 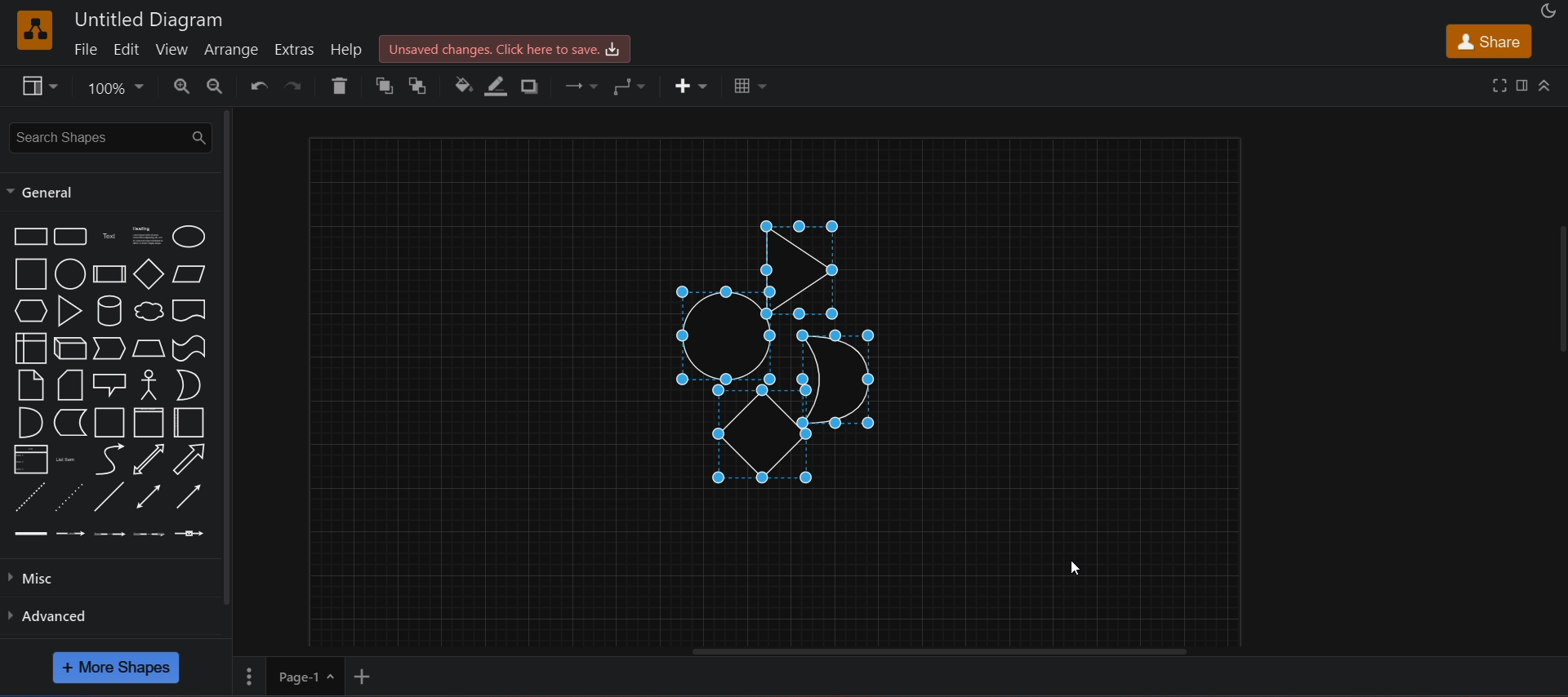 I want to click on hexagon, so click(x=28, y=311).